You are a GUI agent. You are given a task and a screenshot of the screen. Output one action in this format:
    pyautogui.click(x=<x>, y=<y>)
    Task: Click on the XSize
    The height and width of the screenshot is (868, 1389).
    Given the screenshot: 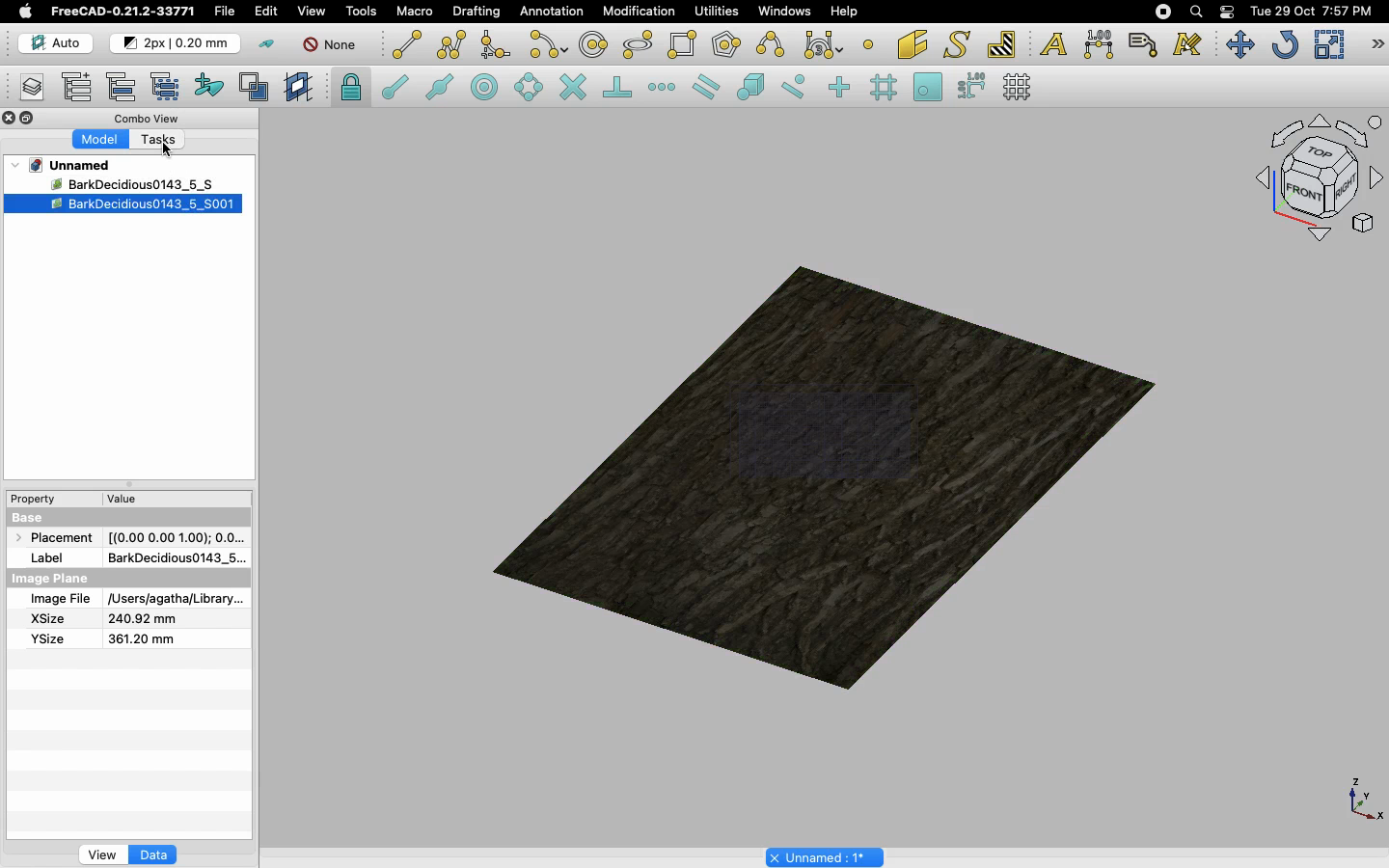 What is the action you would take?
    pyautogui.click(x=48, y=619)
    